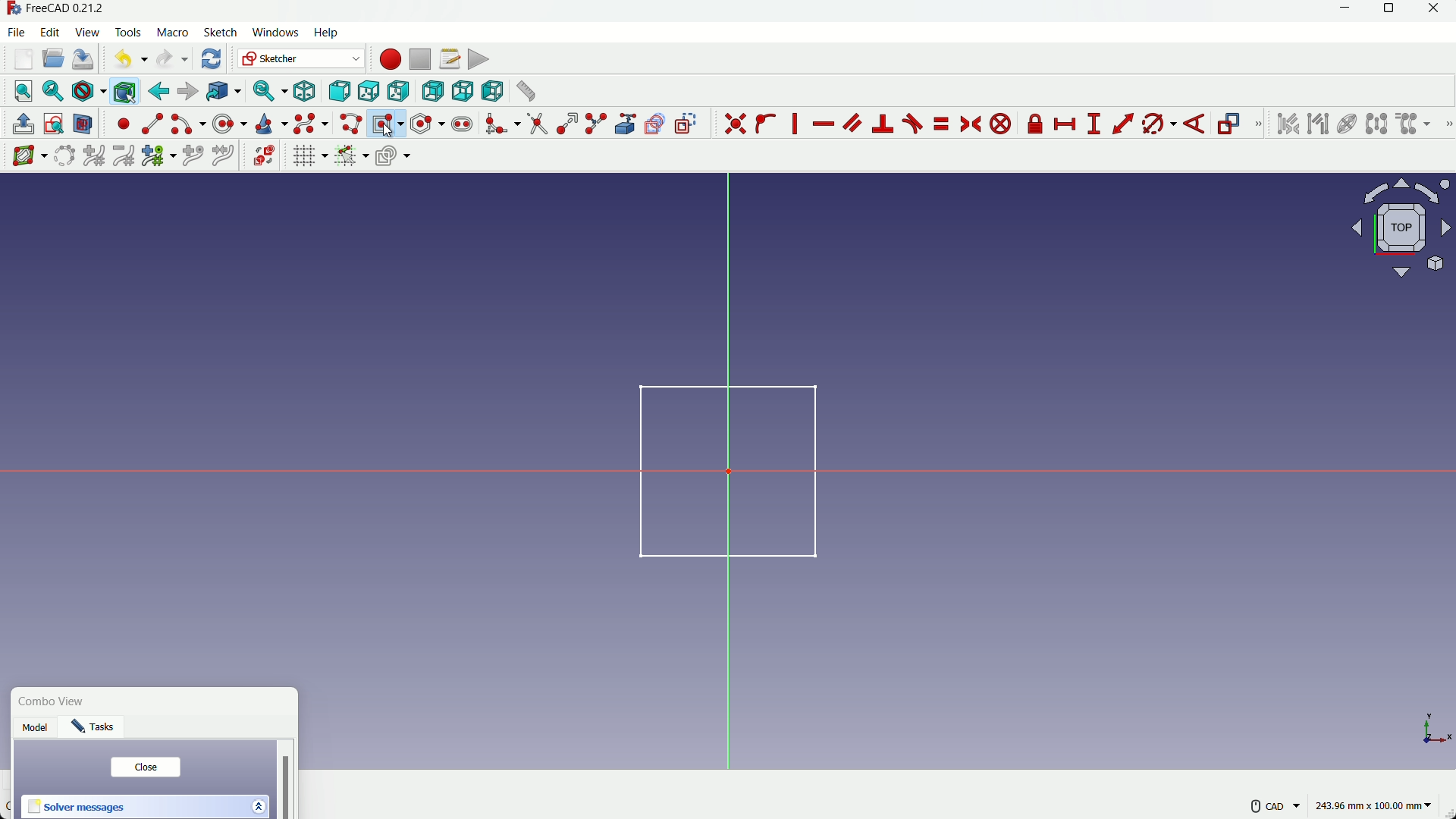 The width and height of the screenshot is (1456, 819). What do you see at coordinates (261, 805) in the screenshot?
I see `expand` at bounding box center [261, 805].